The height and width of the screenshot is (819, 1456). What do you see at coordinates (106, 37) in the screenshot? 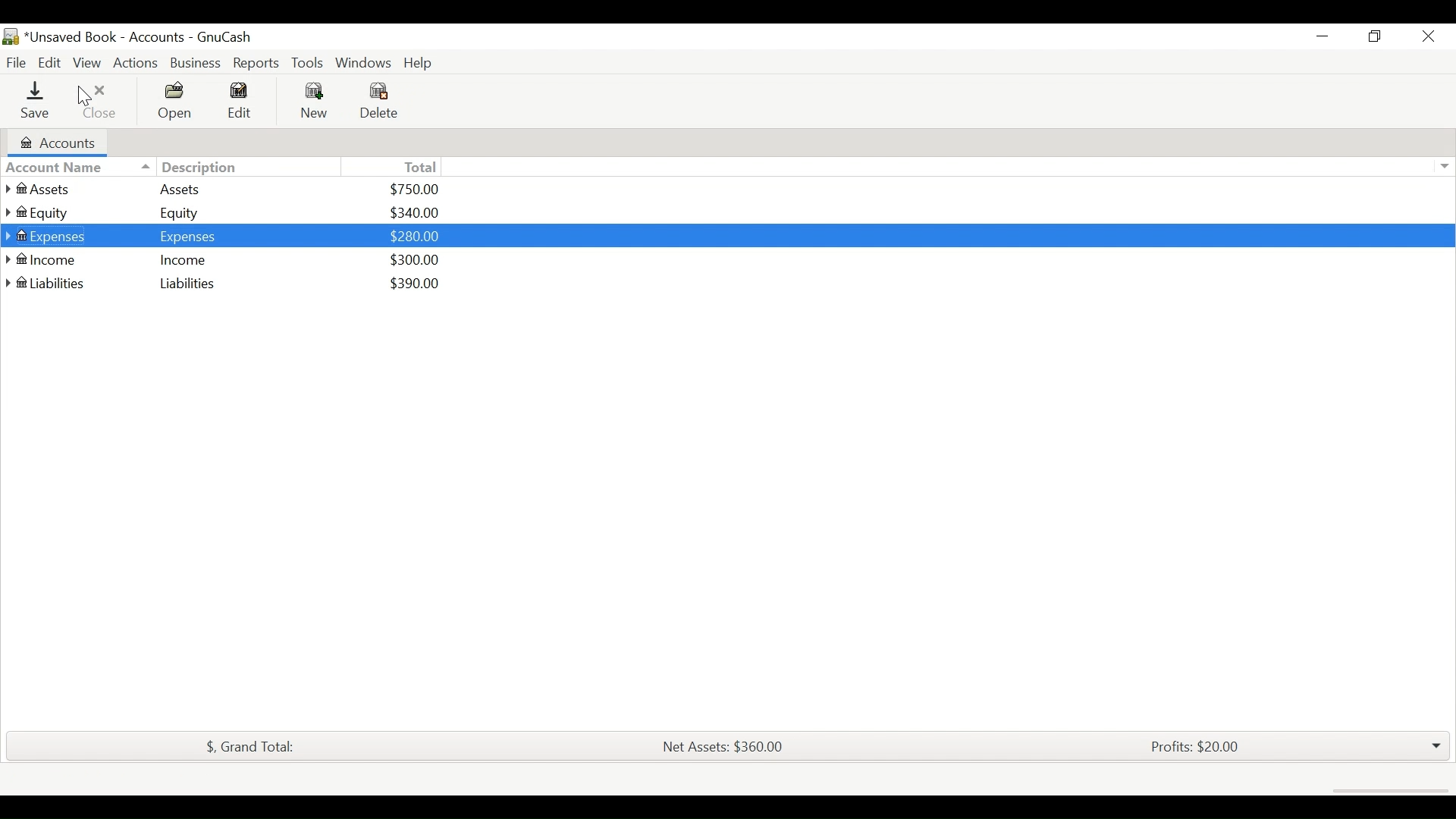
I see `Account book name` at bounding box center [106, 37].